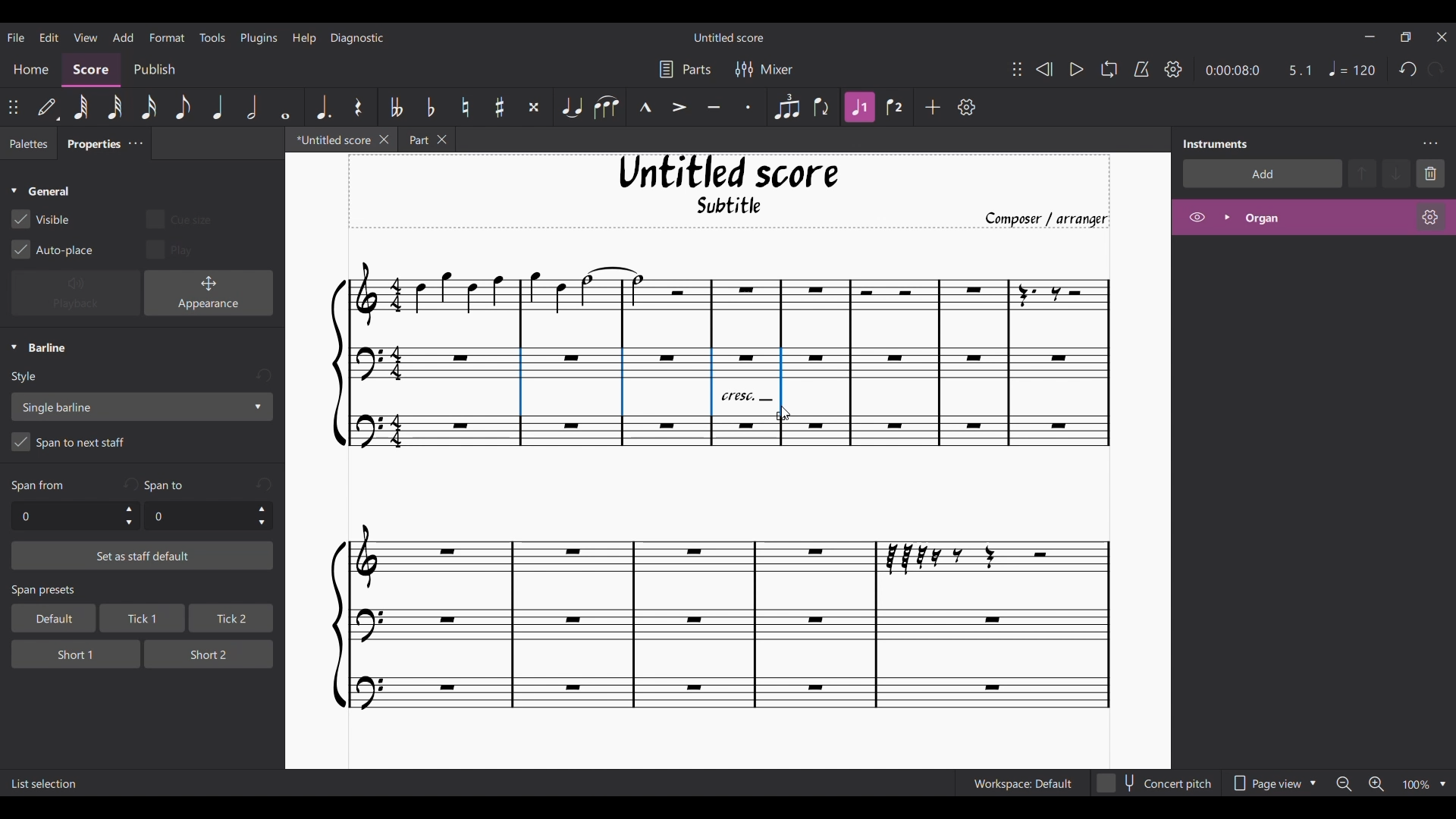 This screenshot has height=819, width=1456. Describe the element at coordinates (686, 69) in the screenshot. I see `Parts settings` at that location.